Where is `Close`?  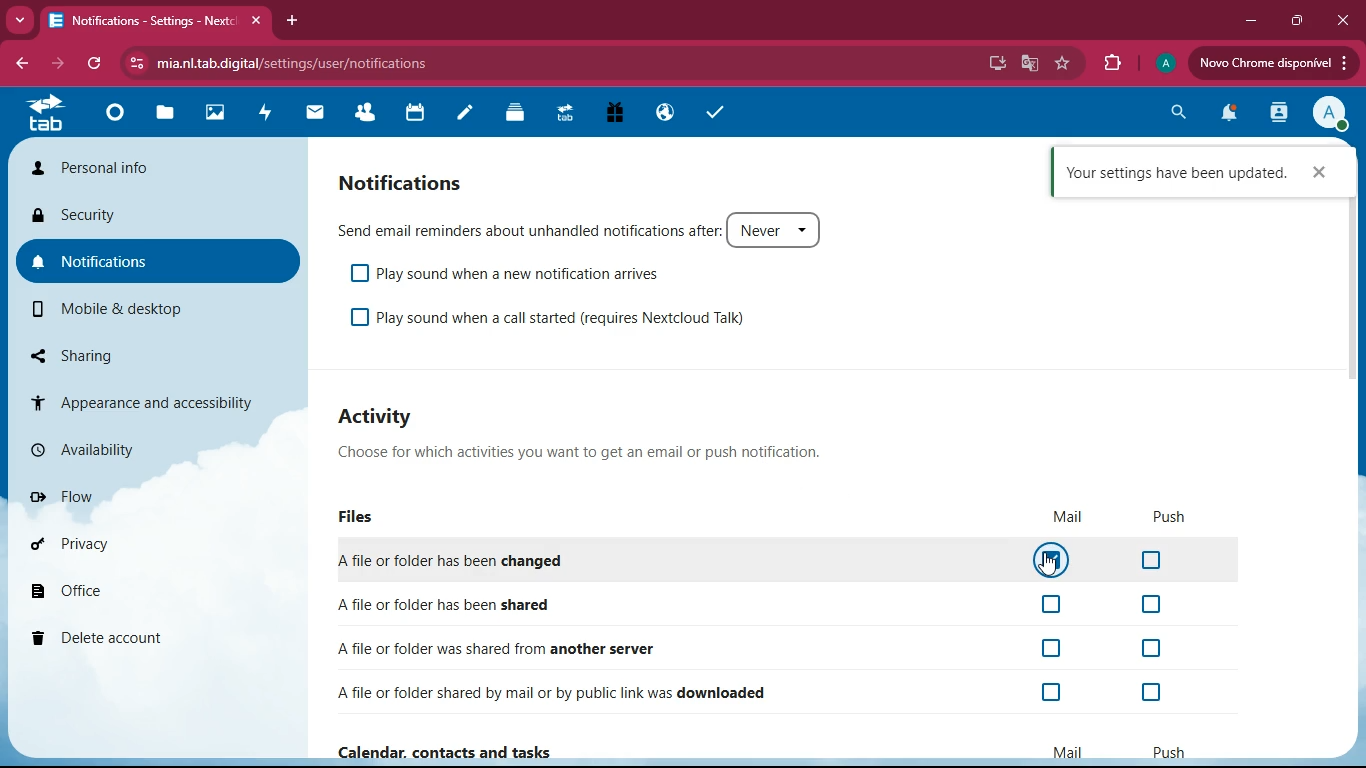
Close is located at coordinates (1319, 173).